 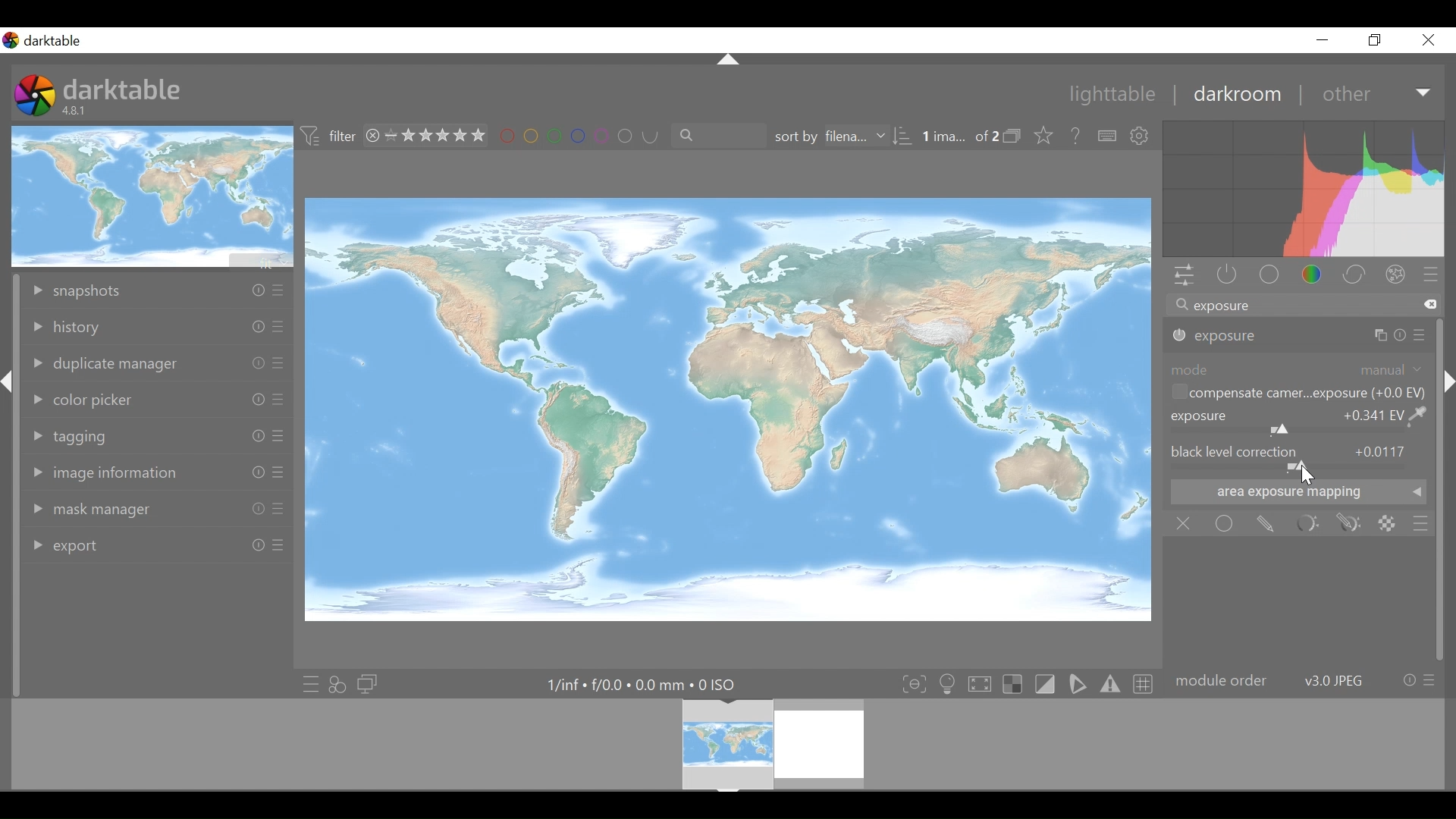 I want to click on color, so click(x=1312, y=275).